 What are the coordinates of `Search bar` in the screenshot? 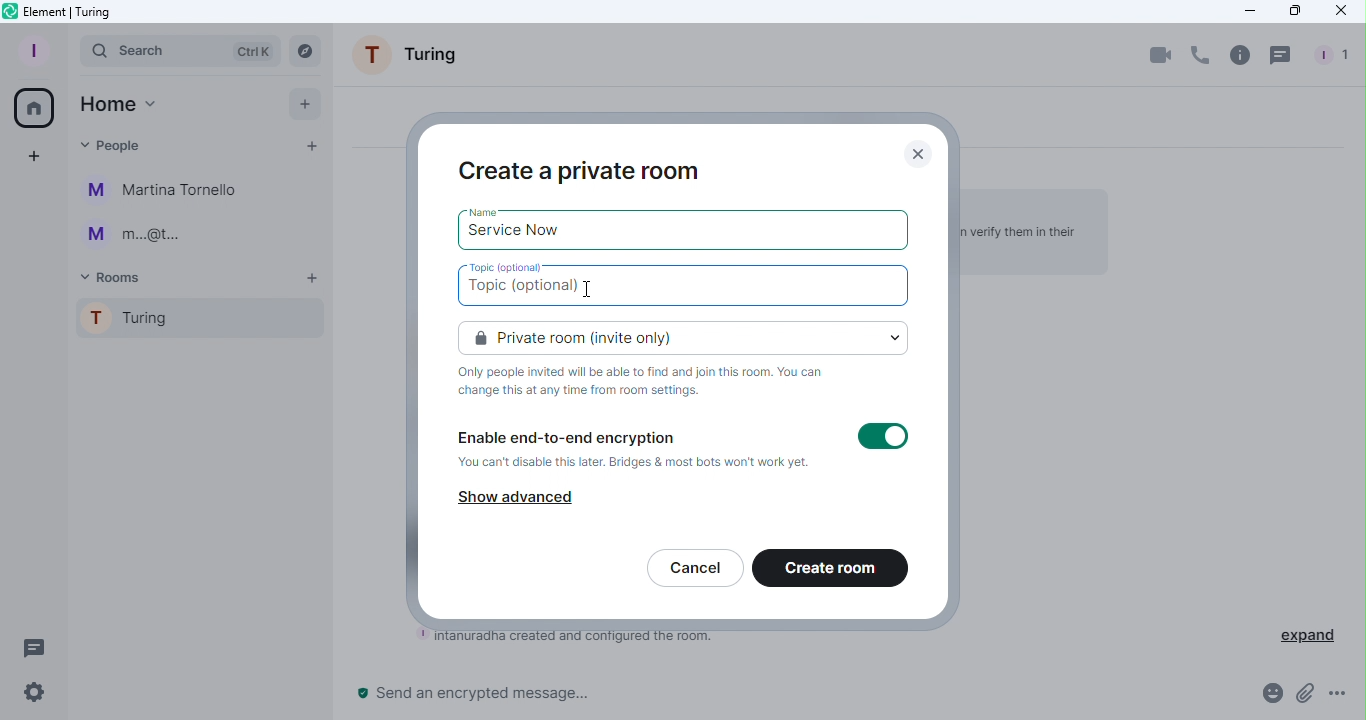 It's located at (180, 50).